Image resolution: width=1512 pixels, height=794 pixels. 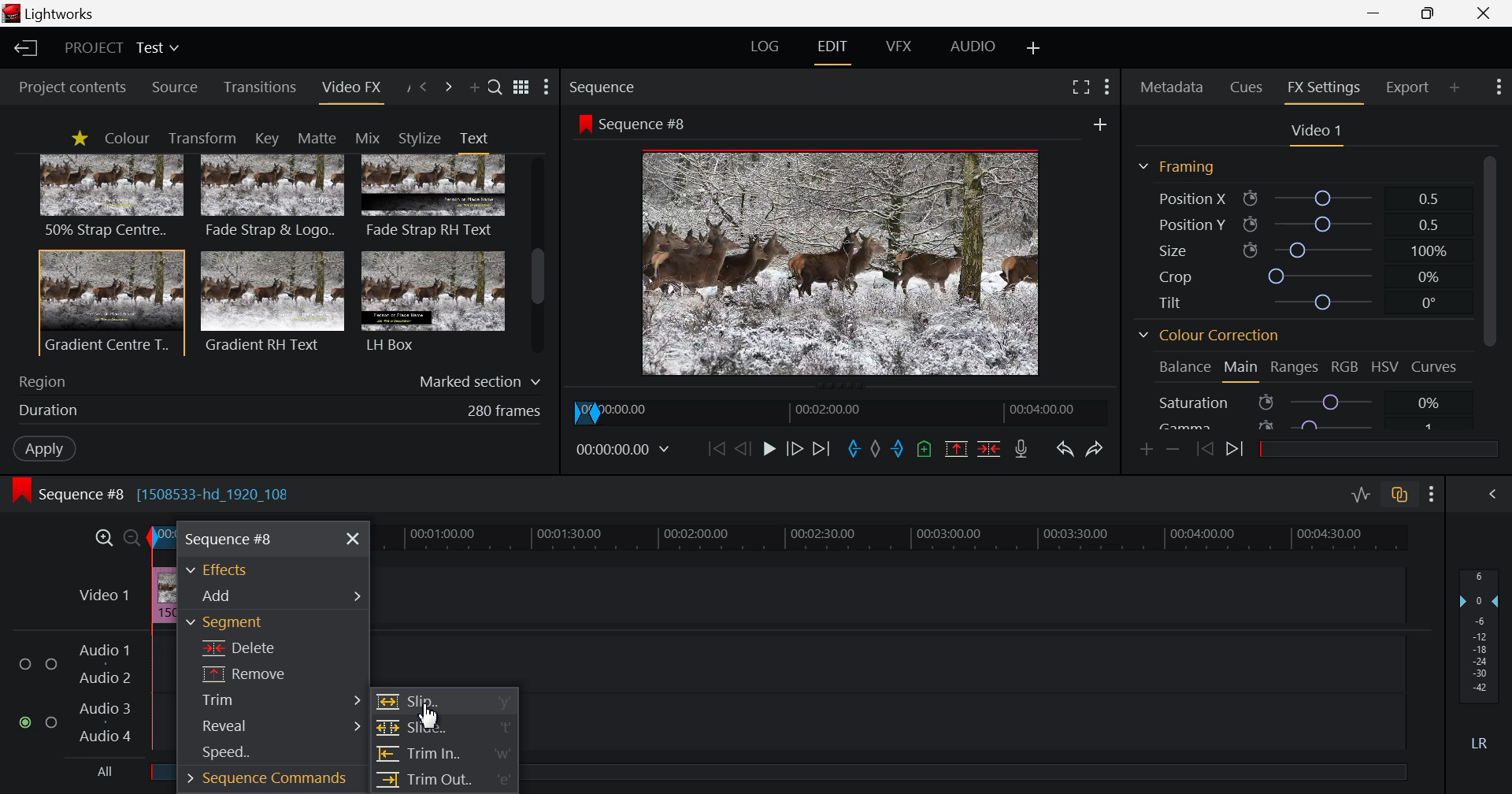 I want to click on Size, so click(x=1300, y=248).